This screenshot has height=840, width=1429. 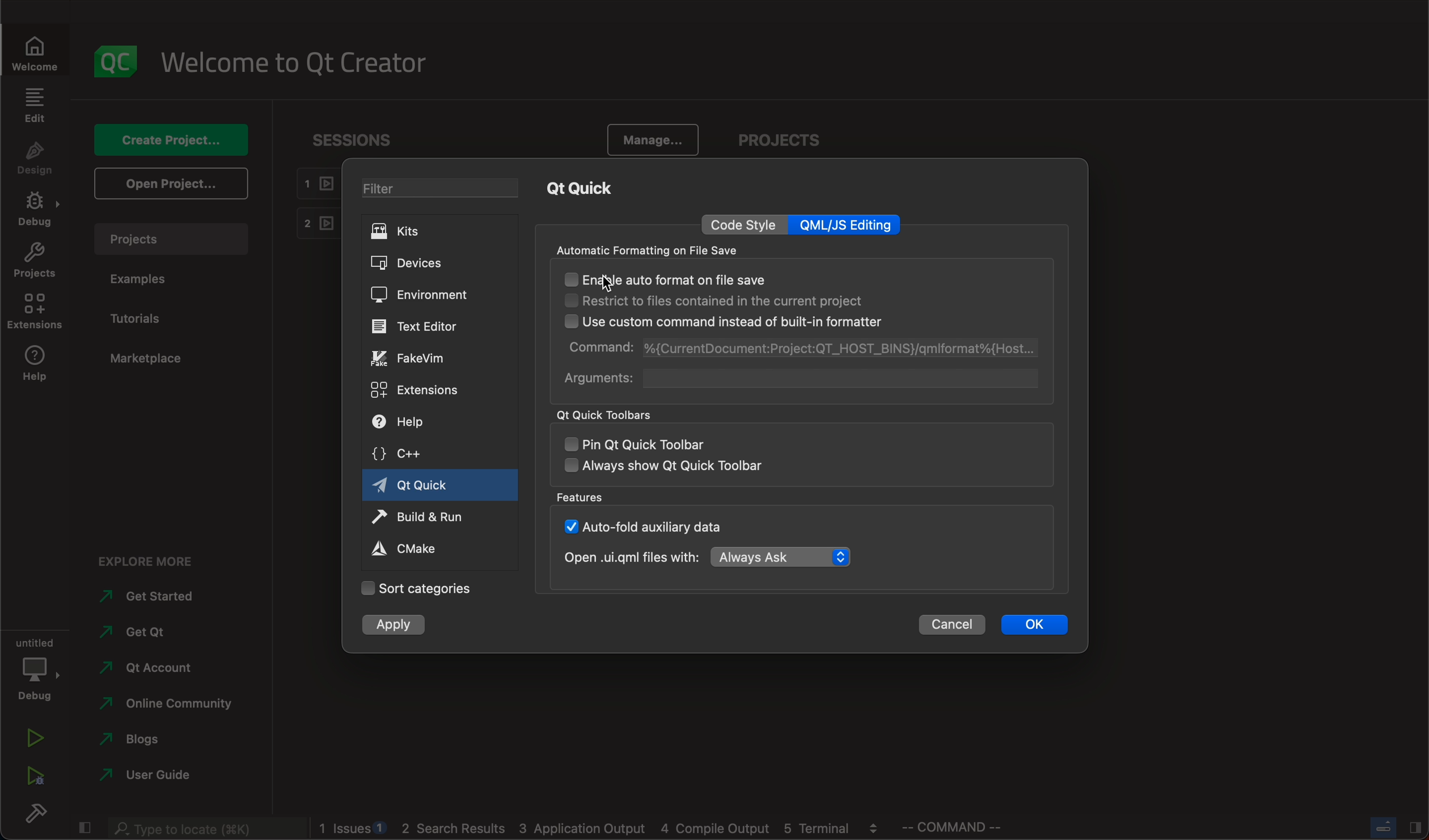 What do you see at coordinates (720, 561) in the screenshot?
I see `open with` at bounding box center [720, 561].